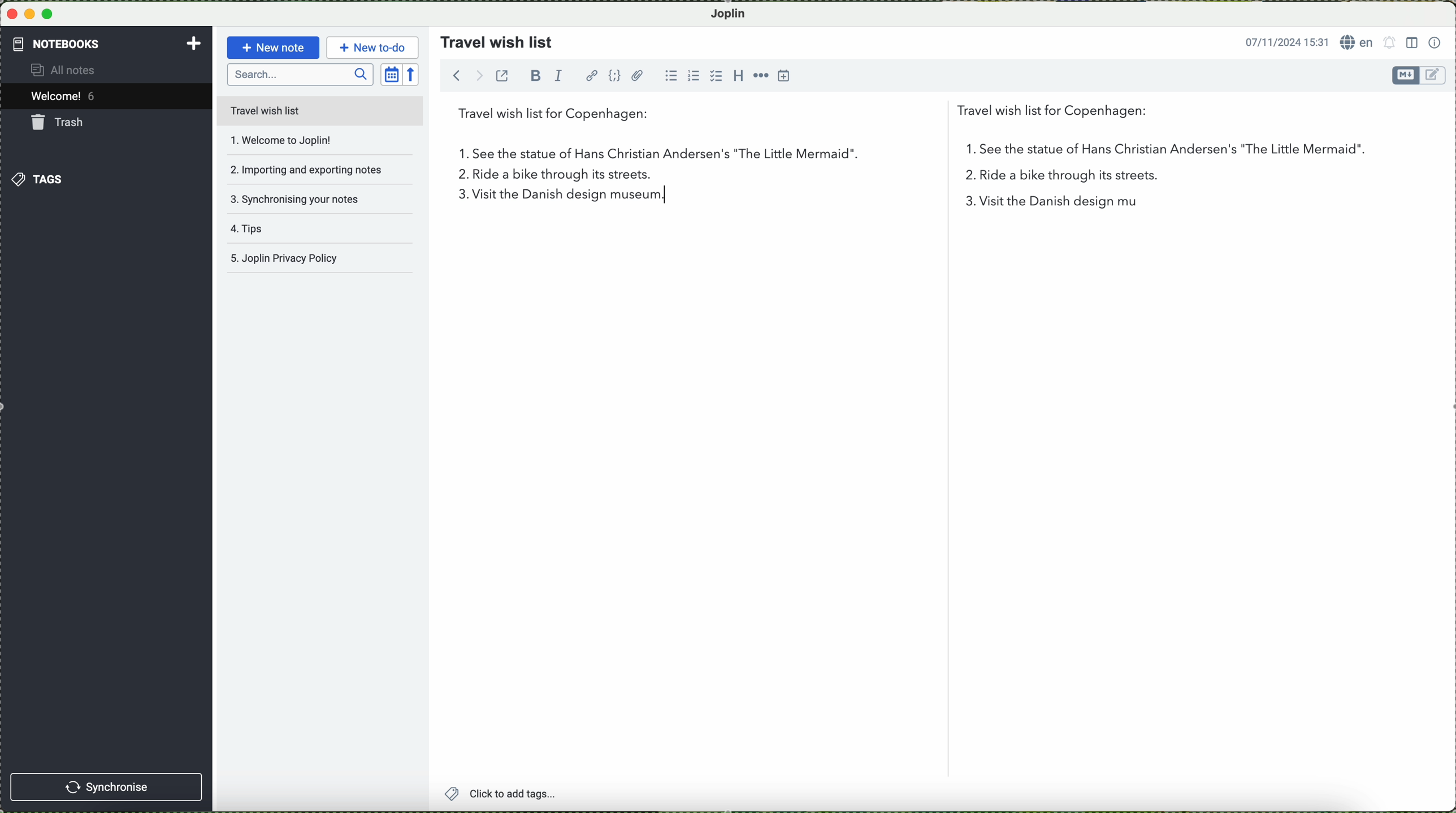 This screenshot has height=813, width=1456. Describe the element at coordinates (1411, 43) in the screenshot. I see `toggle editor layout` at that location.